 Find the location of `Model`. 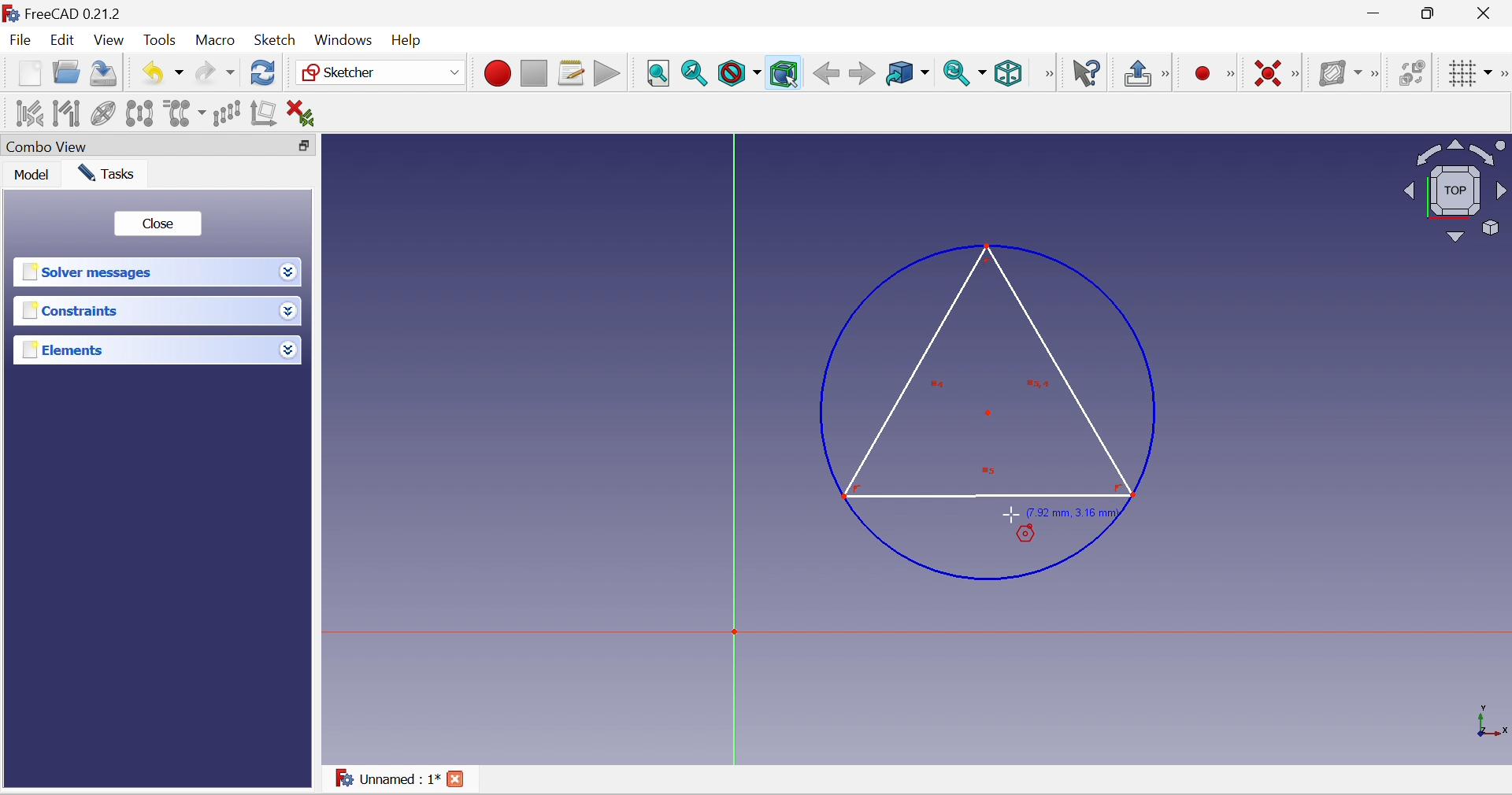

Model is located at coordinates (28, 175).